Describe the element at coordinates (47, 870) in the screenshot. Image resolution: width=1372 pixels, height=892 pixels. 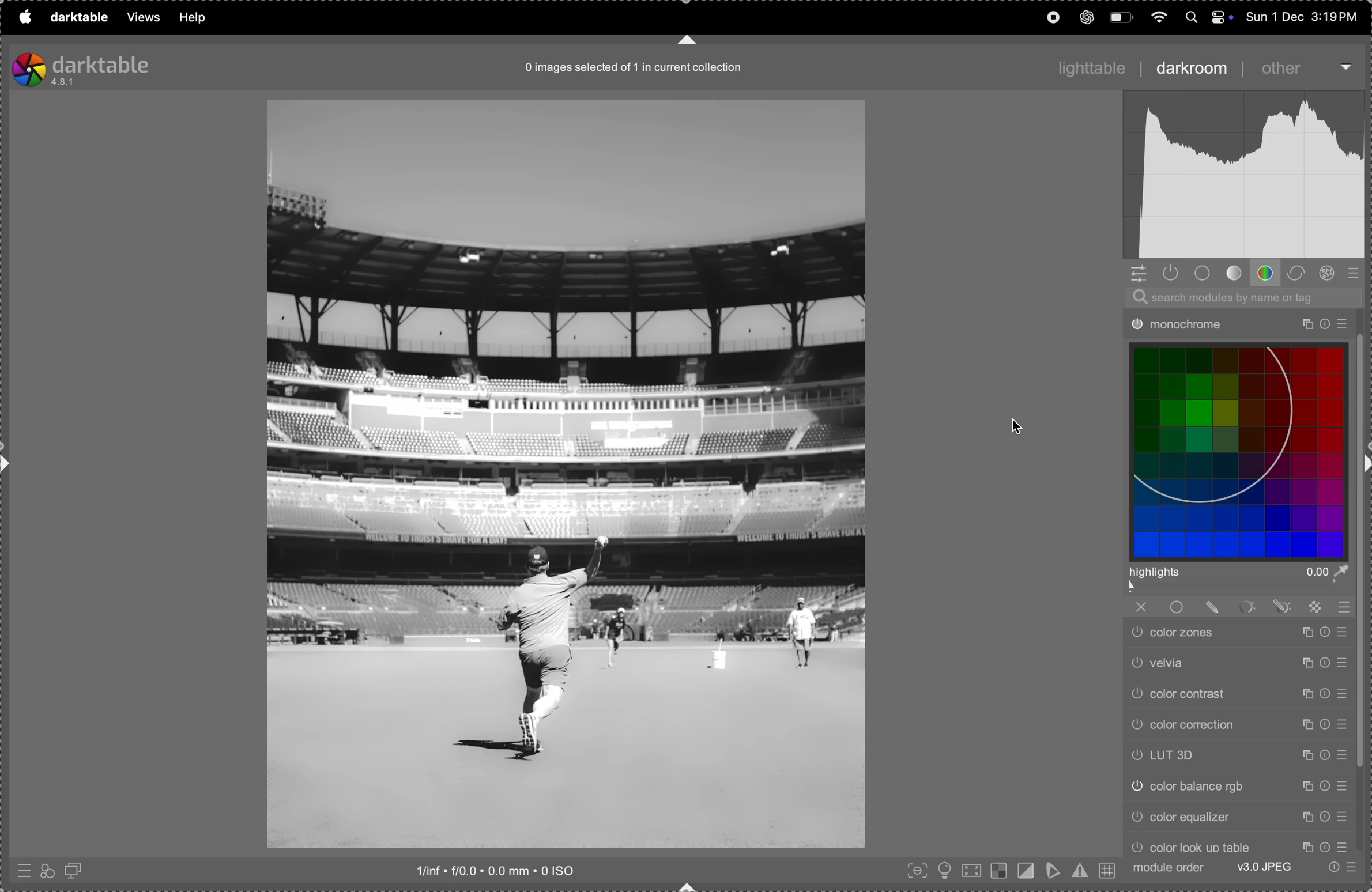
I see `quick acess for apply styles` at that location.